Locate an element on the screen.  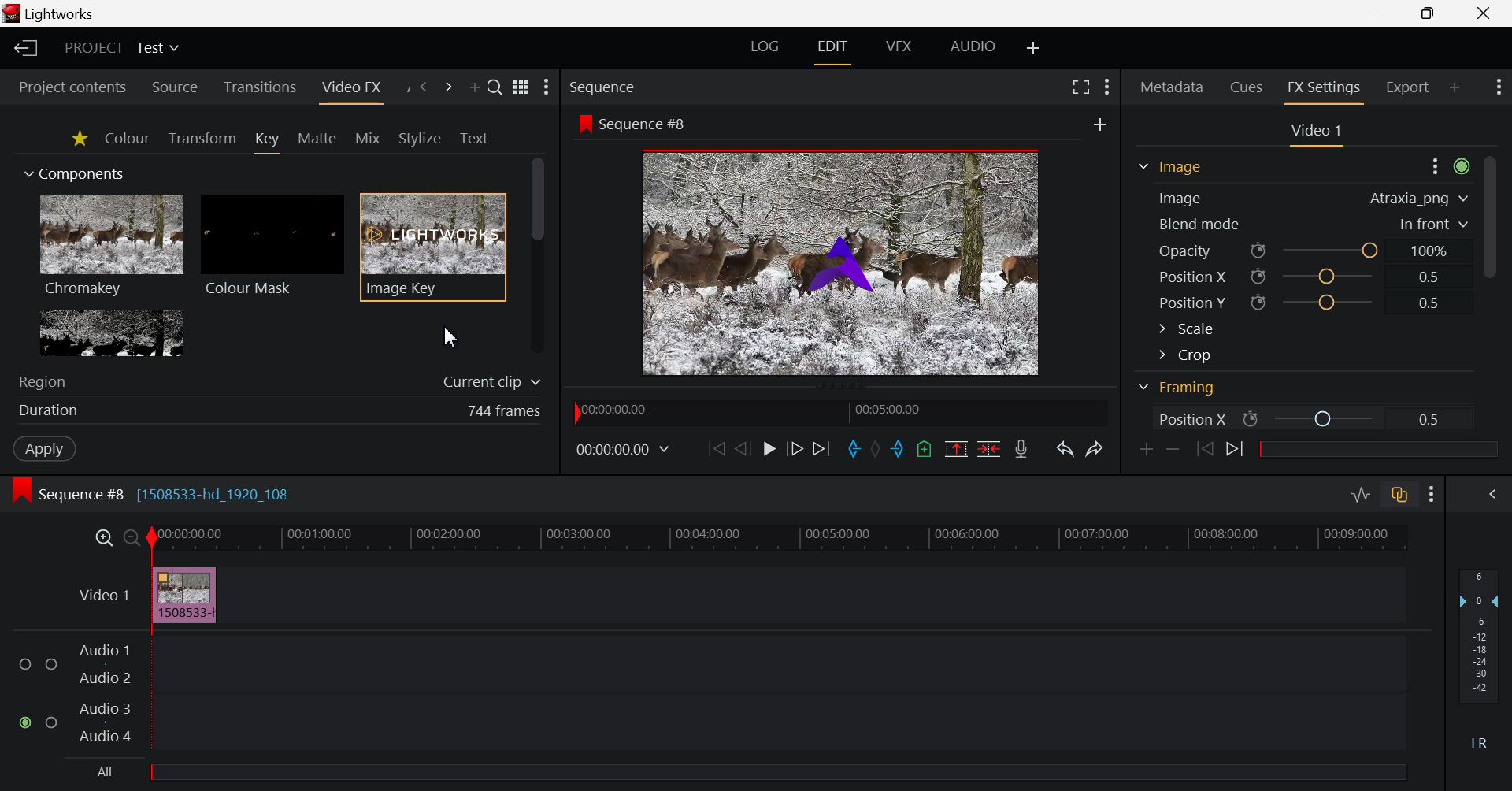
VFX Layout is located at coordinates (897, 49).